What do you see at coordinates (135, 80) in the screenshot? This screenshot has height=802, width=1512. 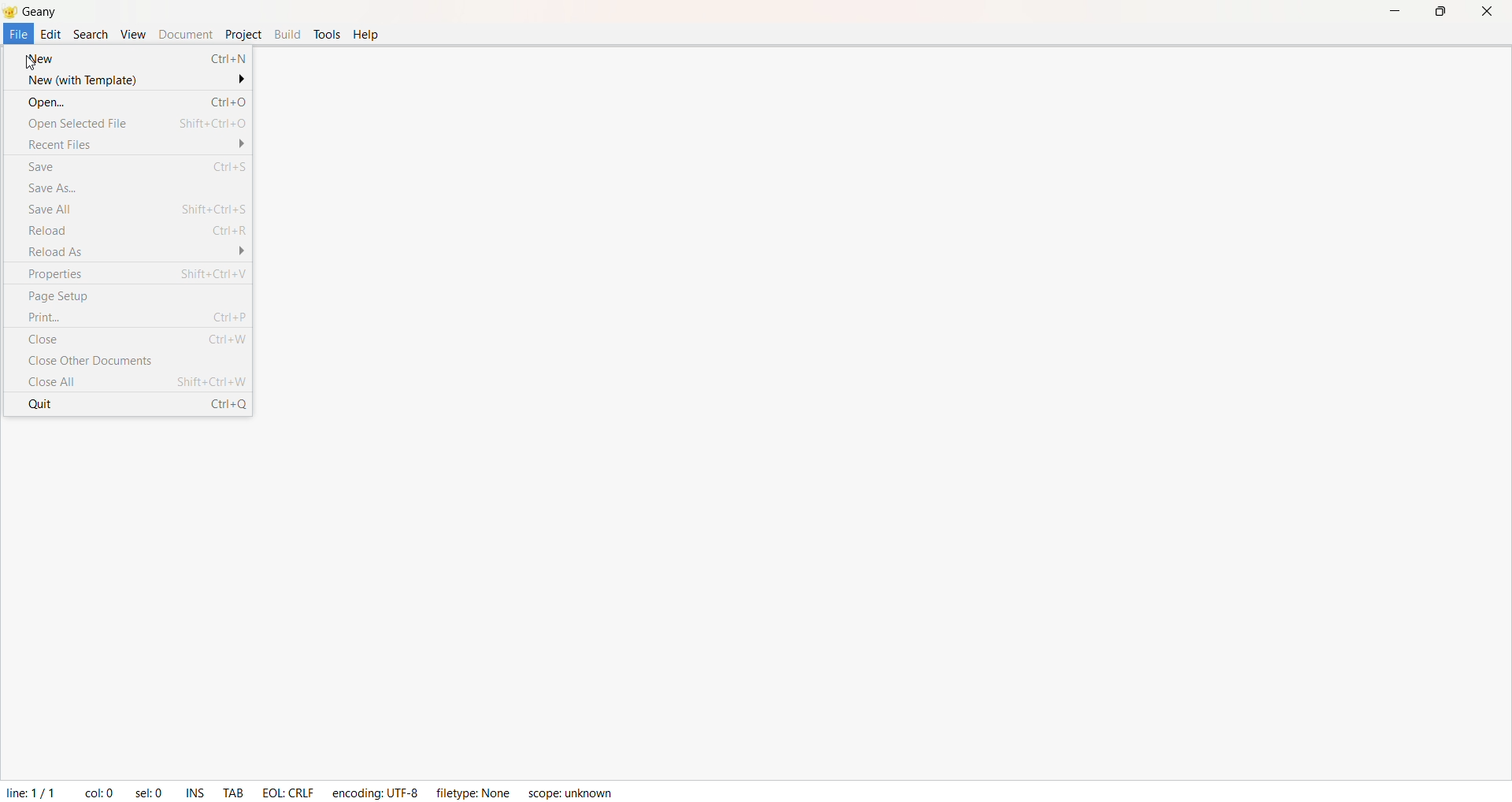 I see `New (With Temlate)` at bounding box center [135, 80].